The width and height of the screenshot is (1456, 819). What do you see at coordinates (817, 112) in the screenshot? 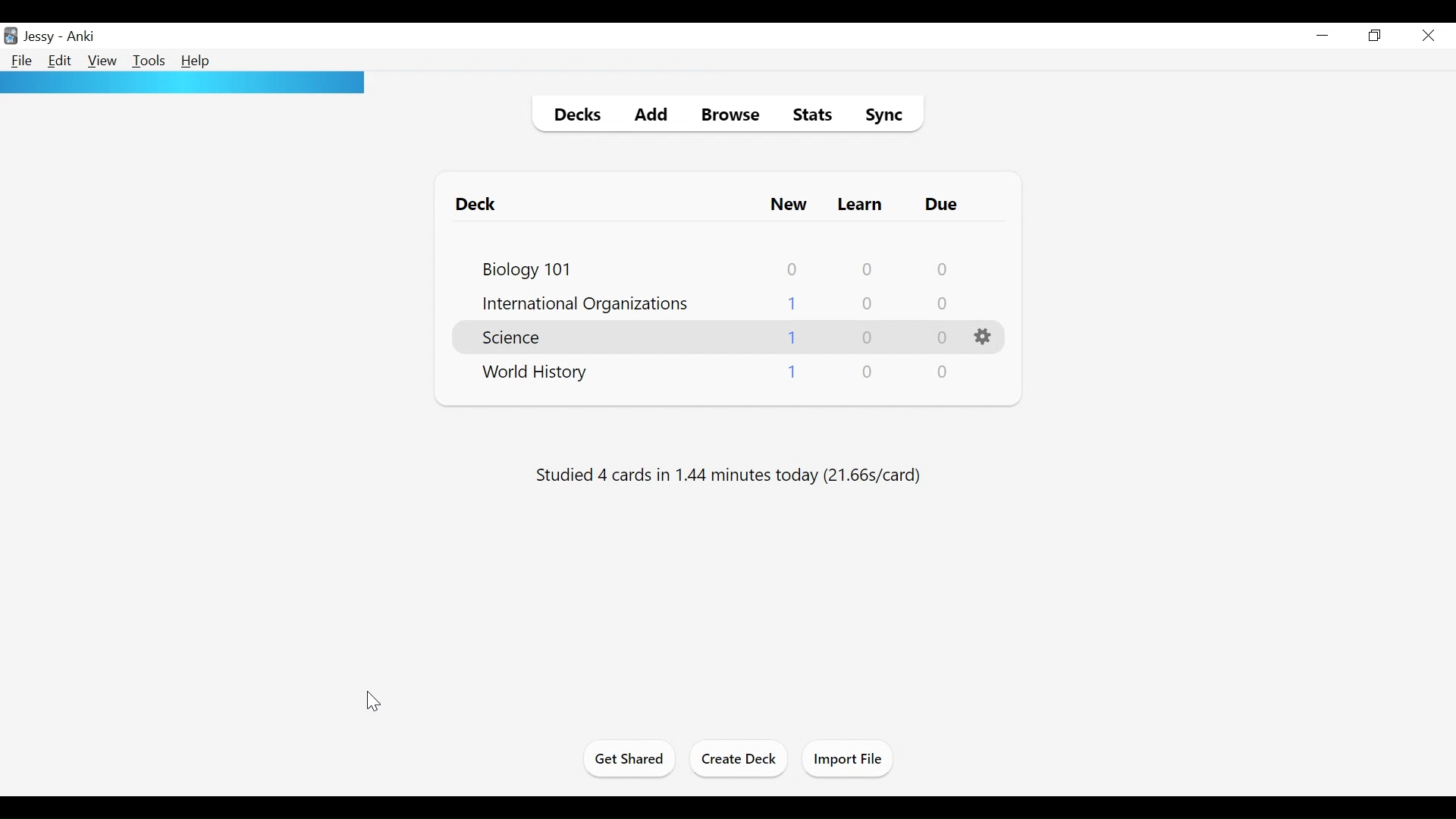
I see `Stats` at bounding box center [817, 112].